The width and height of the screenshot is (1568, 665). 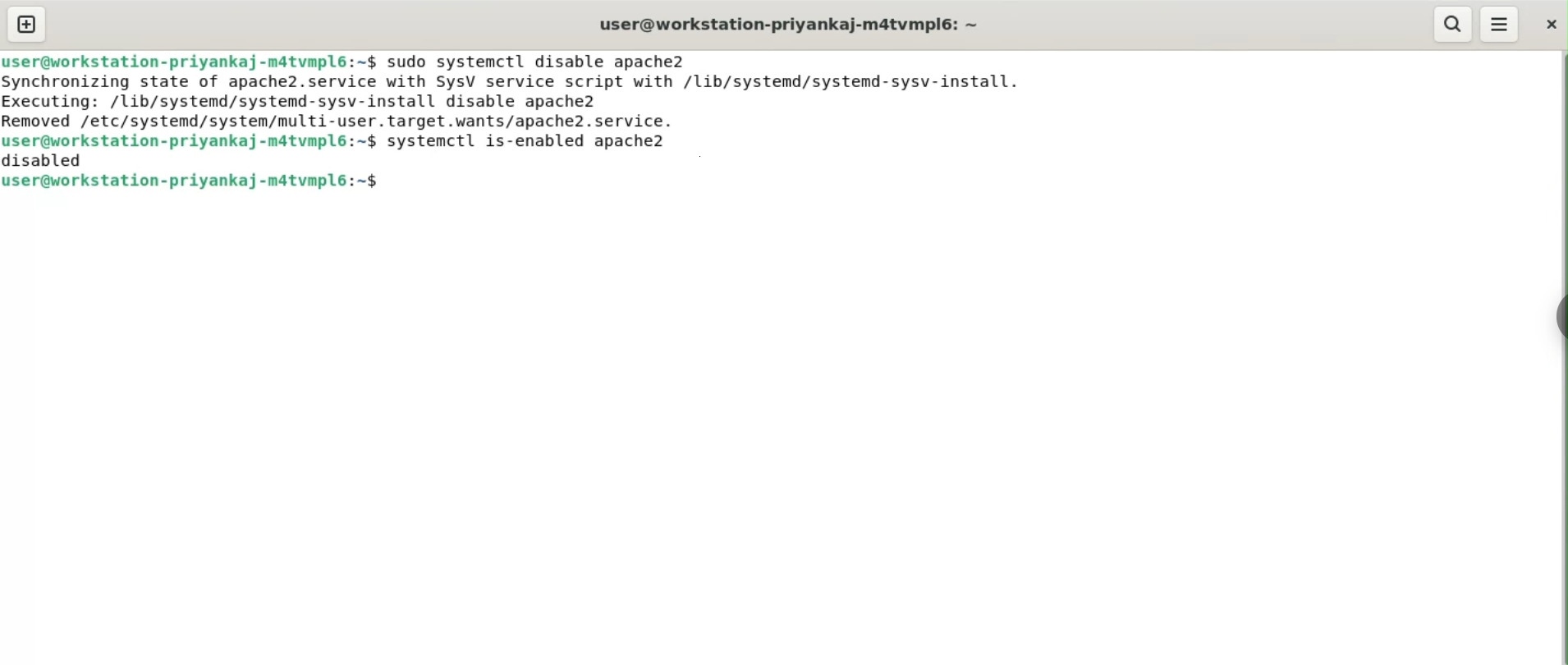 What do you see at coordinates (55, 159) in the screenshot?
I see `disabled` at bounding box center [55, 159].